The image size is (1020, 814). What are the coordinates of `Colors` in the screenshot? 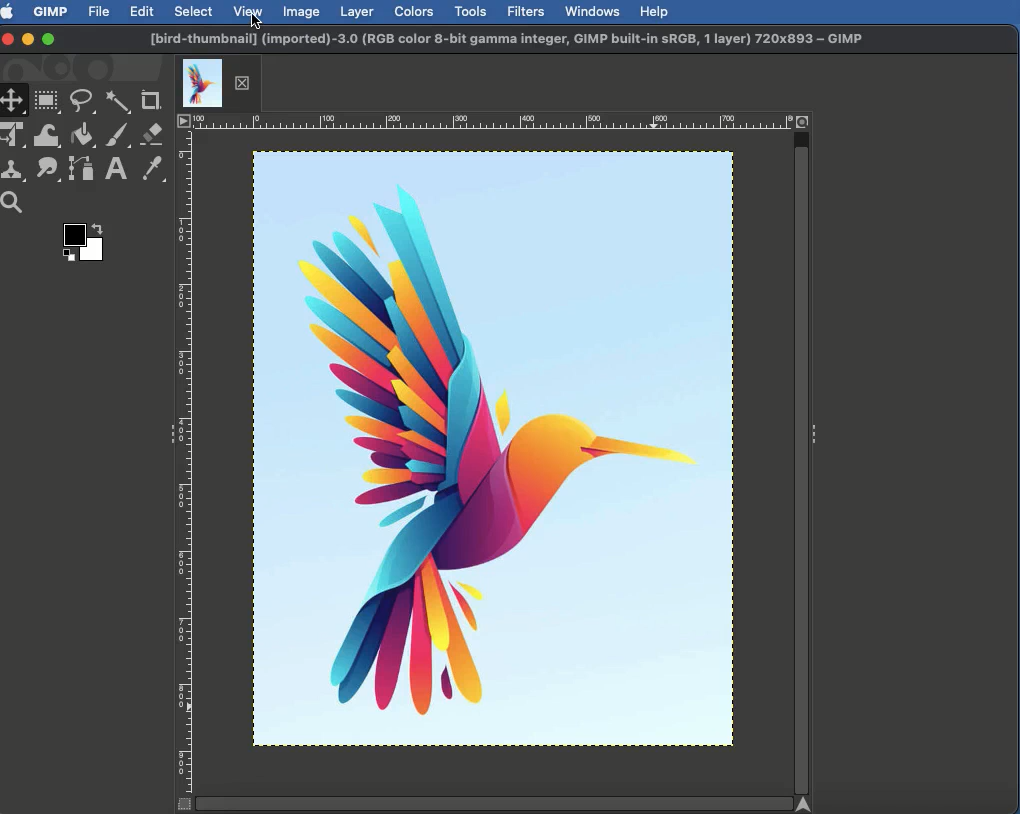 It's located at (415, 11).